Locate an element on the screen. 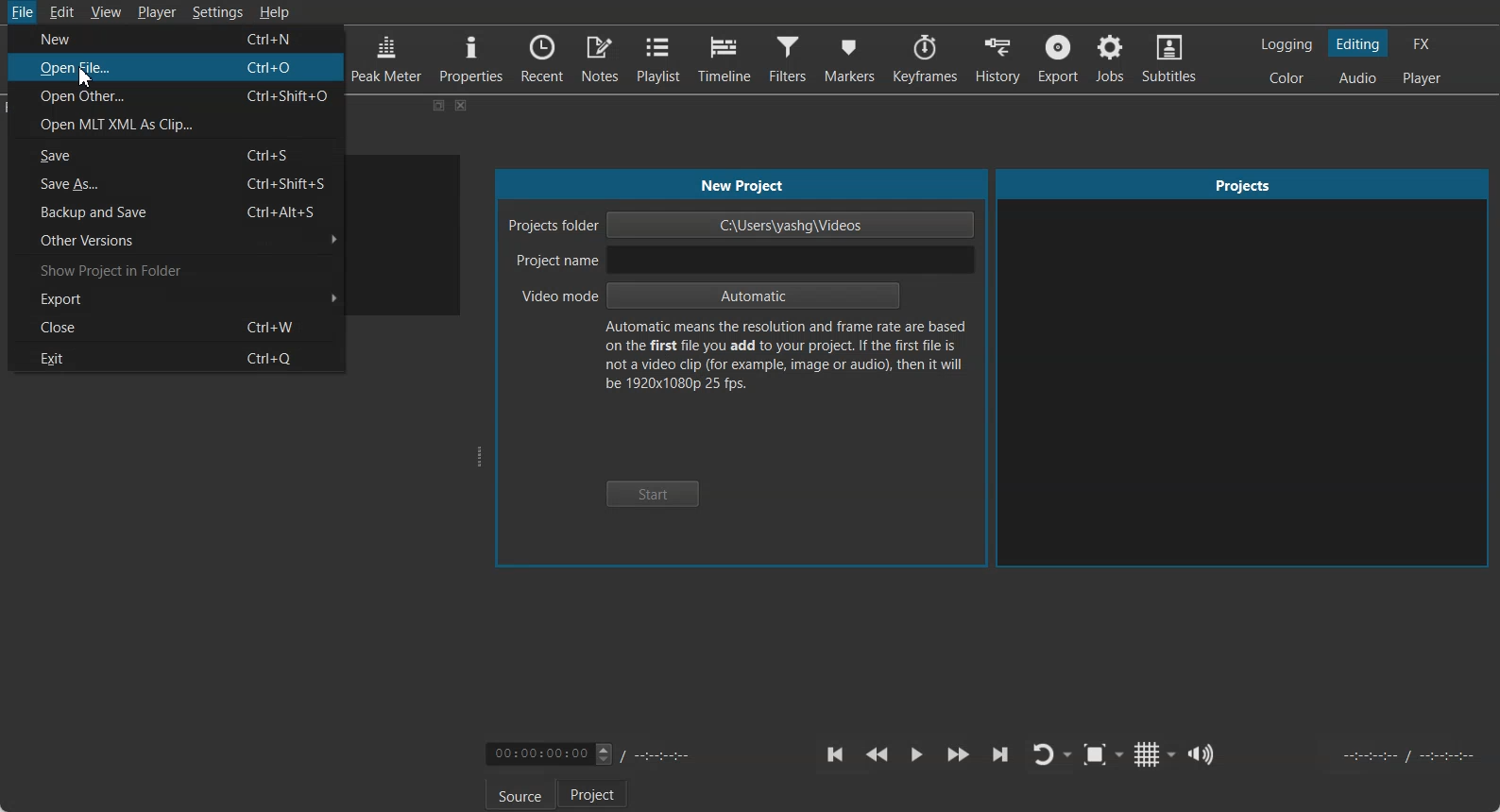  Maximize is located at coordinates (439, 105).